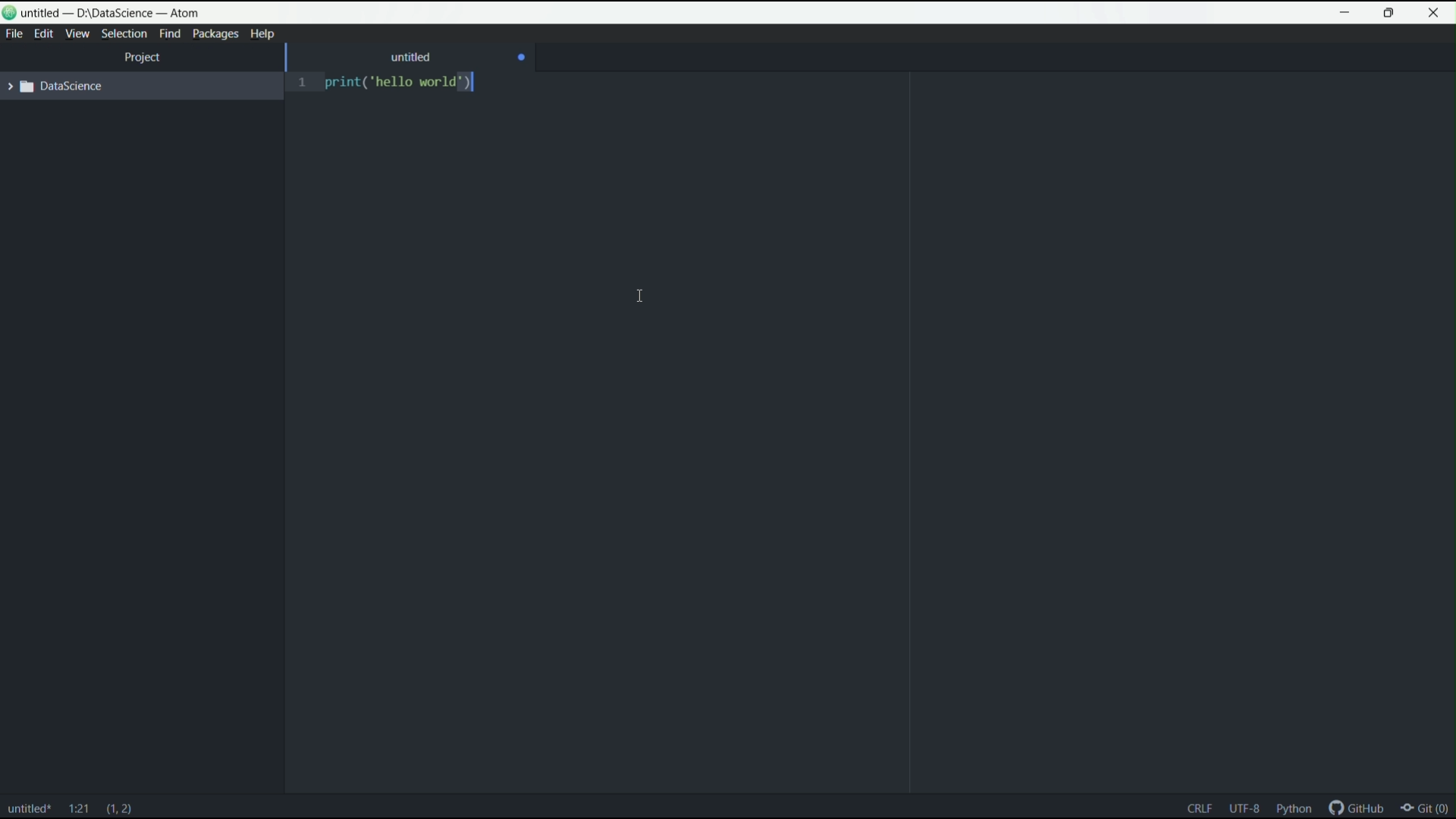 The image size is (1456, 819). I want to click on edit menu, so click(44, 34).